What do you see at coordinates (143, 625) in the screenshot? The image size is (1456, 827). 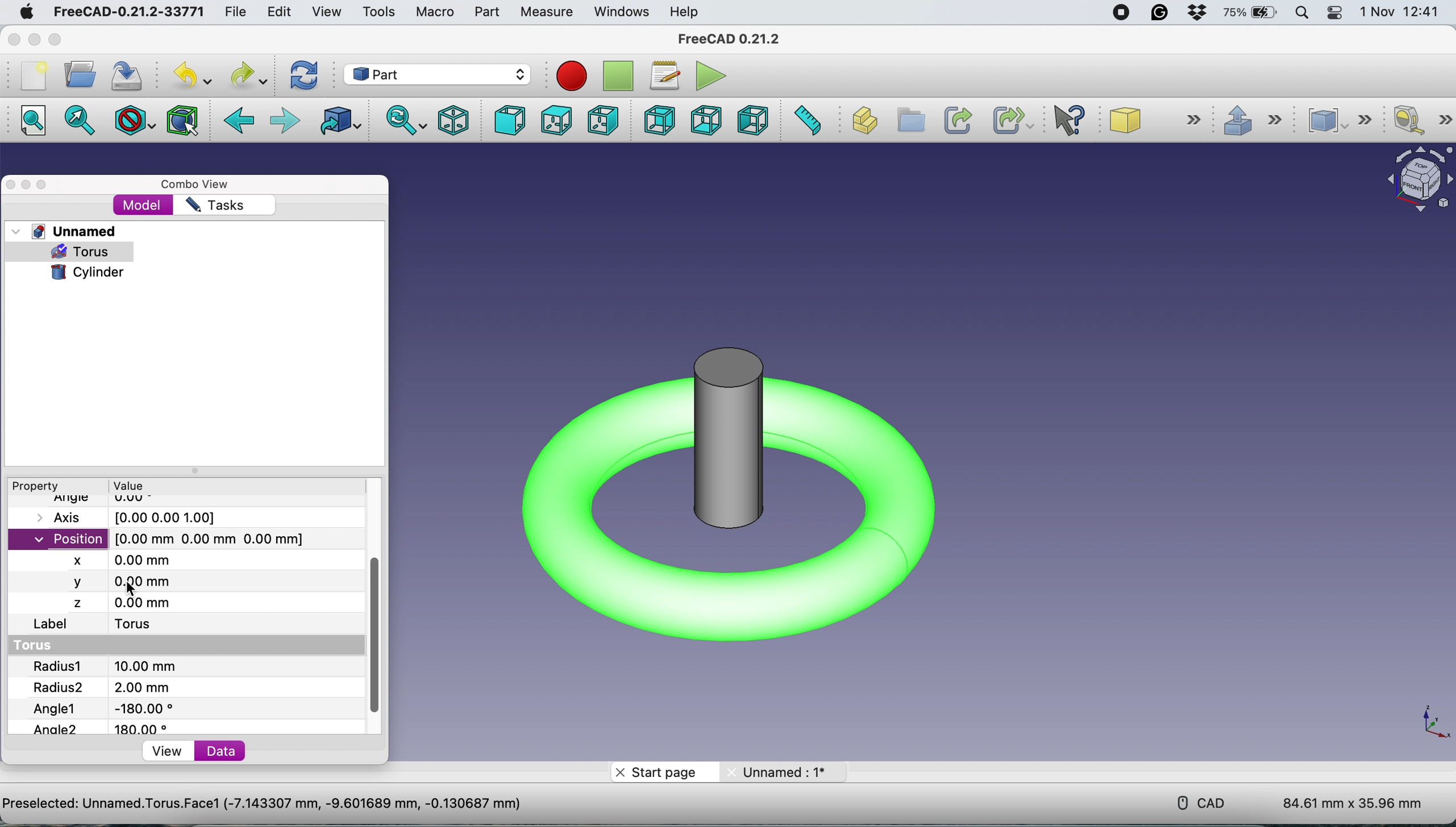 I see `torus` at bounding box center [143, 625].